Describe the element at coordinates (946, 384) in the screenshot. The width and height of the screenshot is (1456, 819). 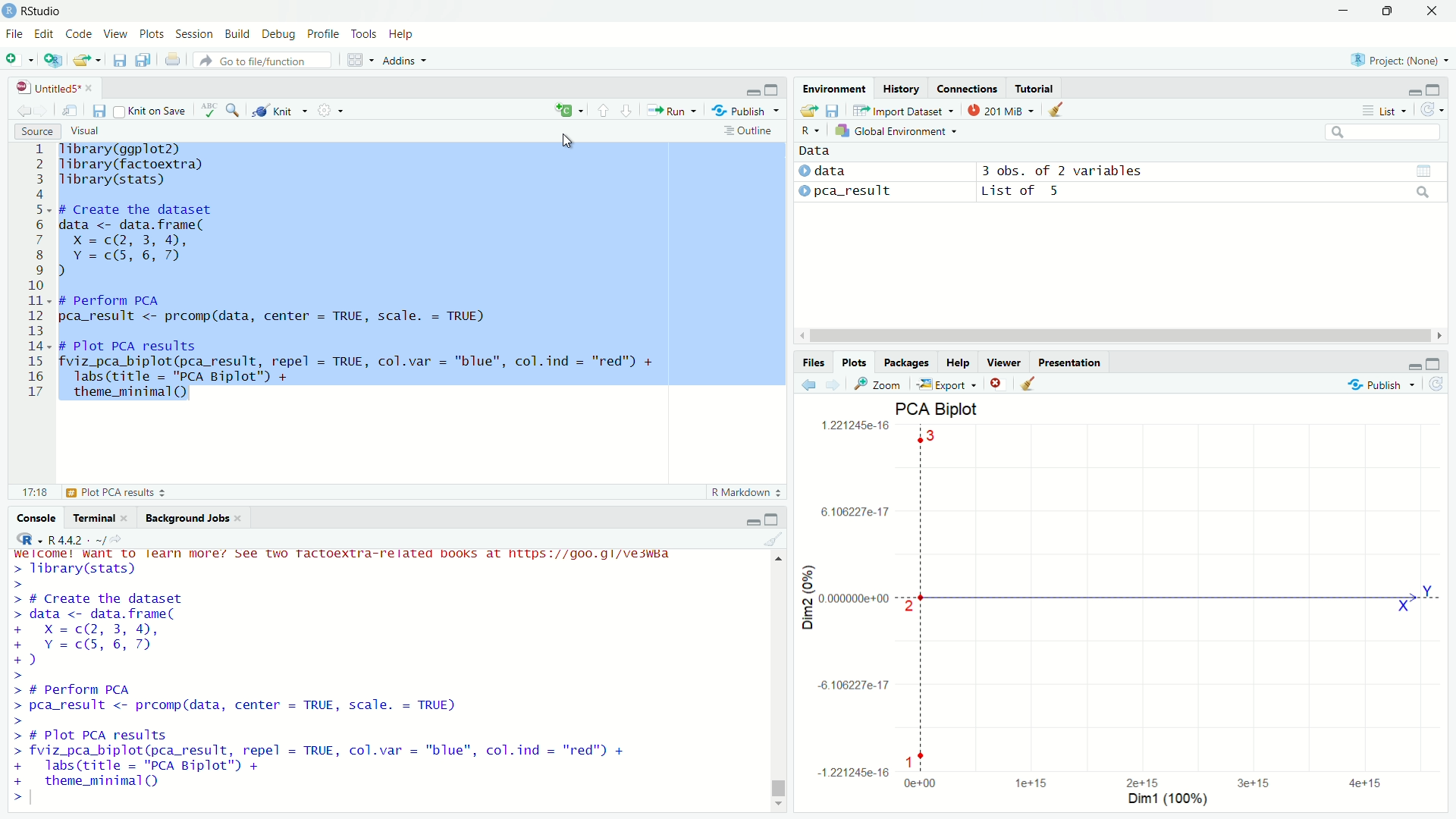
I see `export` at that location.